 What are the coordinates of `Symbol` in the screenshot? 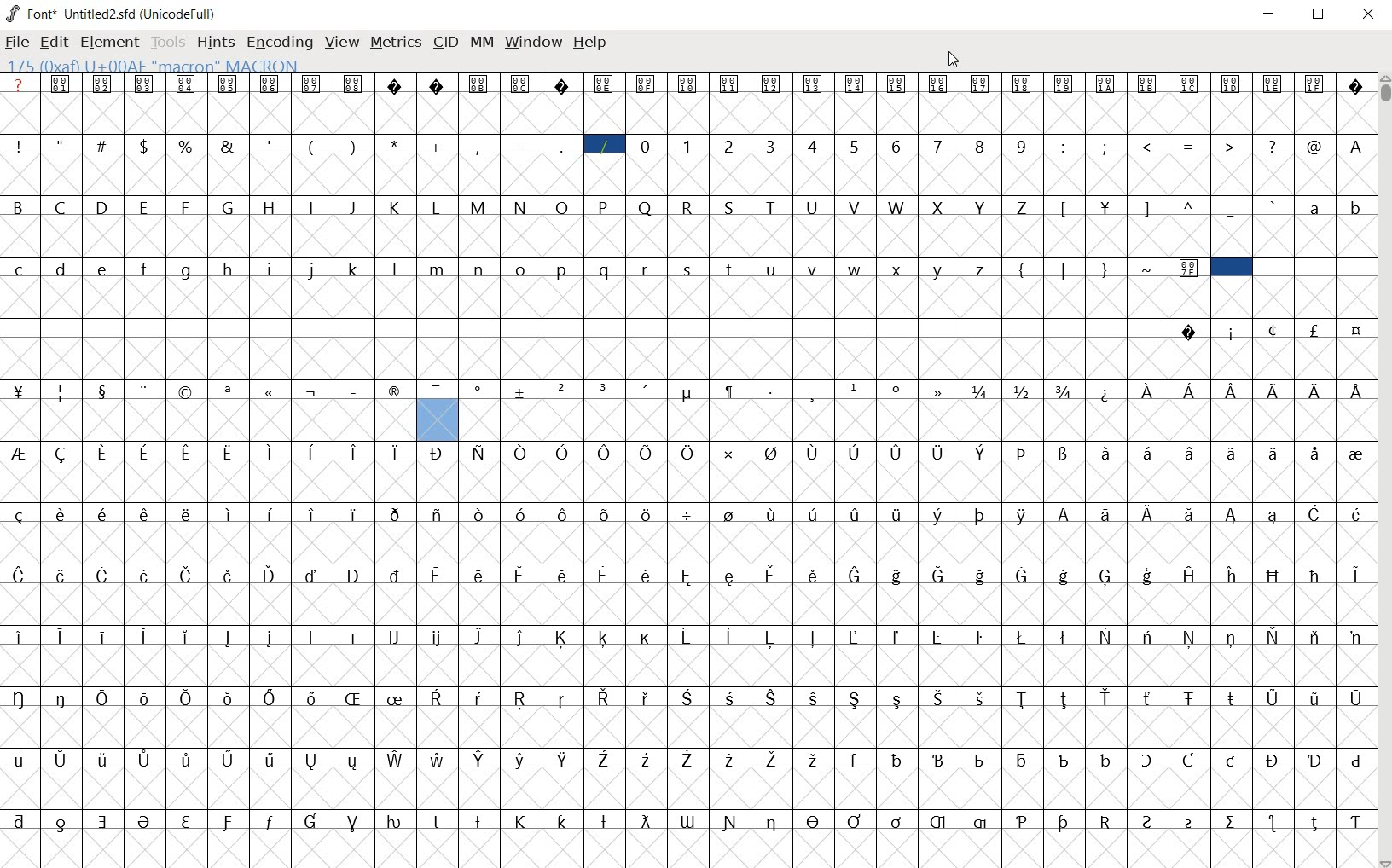 It's located at (393, 389).